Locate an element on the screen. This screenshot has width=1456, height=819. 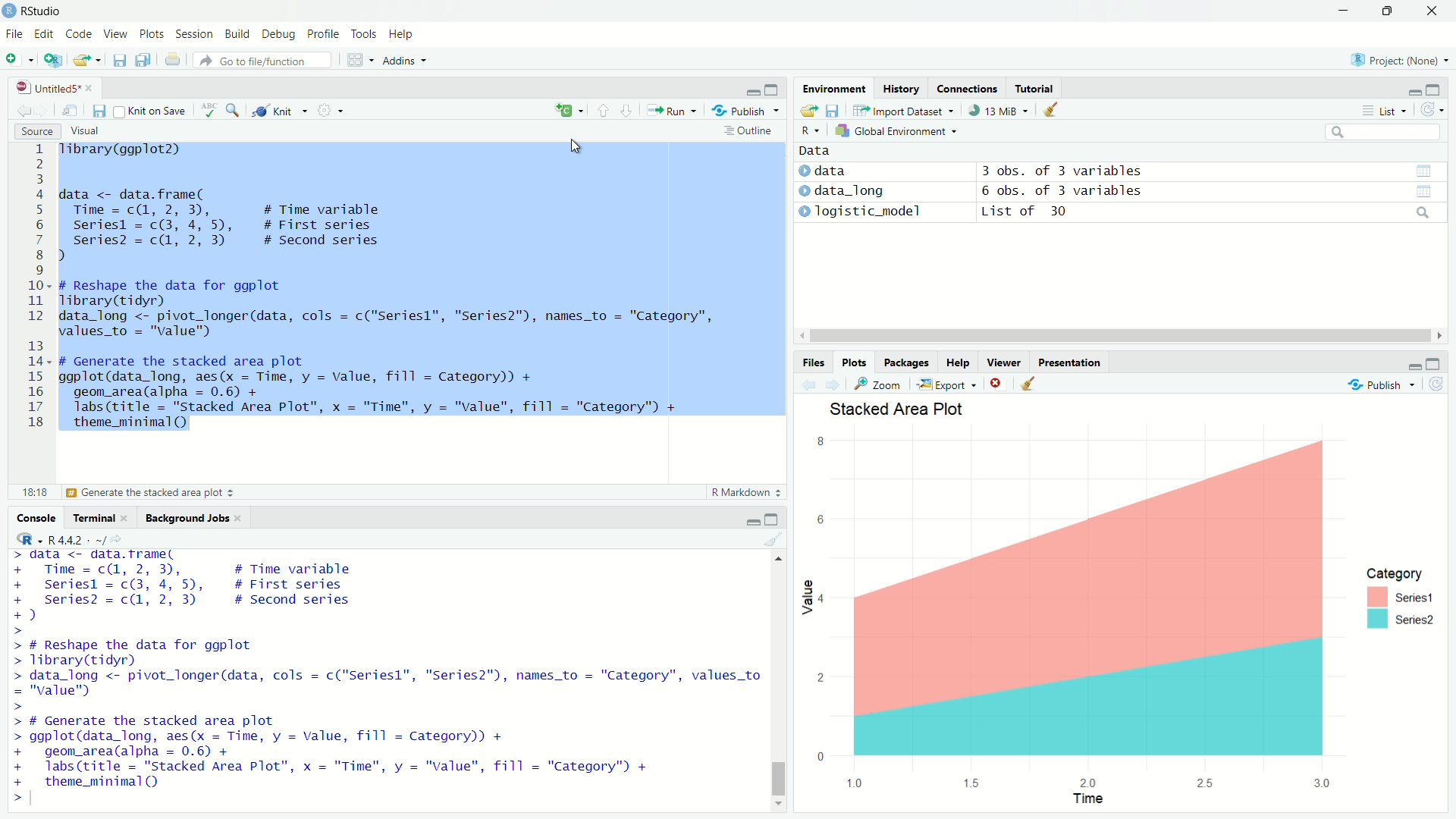
search is located at coordinates (1384, 134).